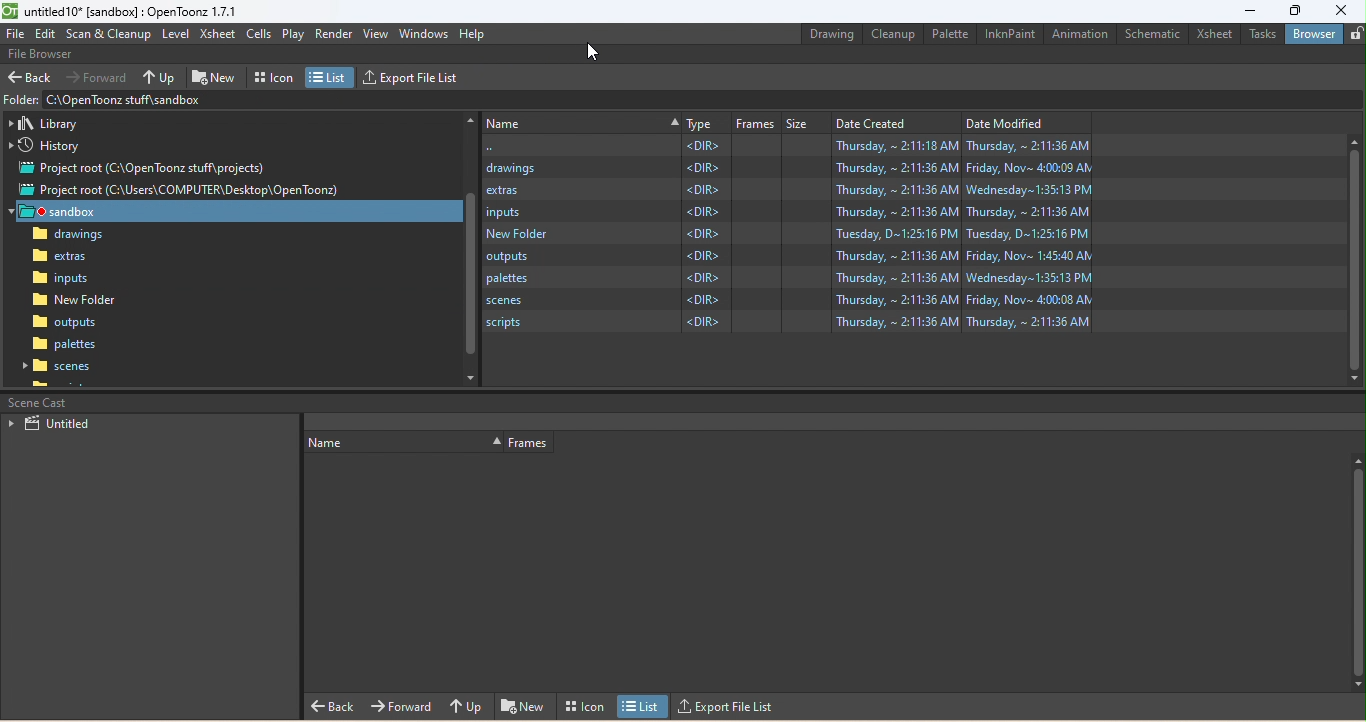 The width and height of the screenshot is (1366, 722). Describe the element at coordinates (44, 146) in the screenshot. I see `History` at that location.